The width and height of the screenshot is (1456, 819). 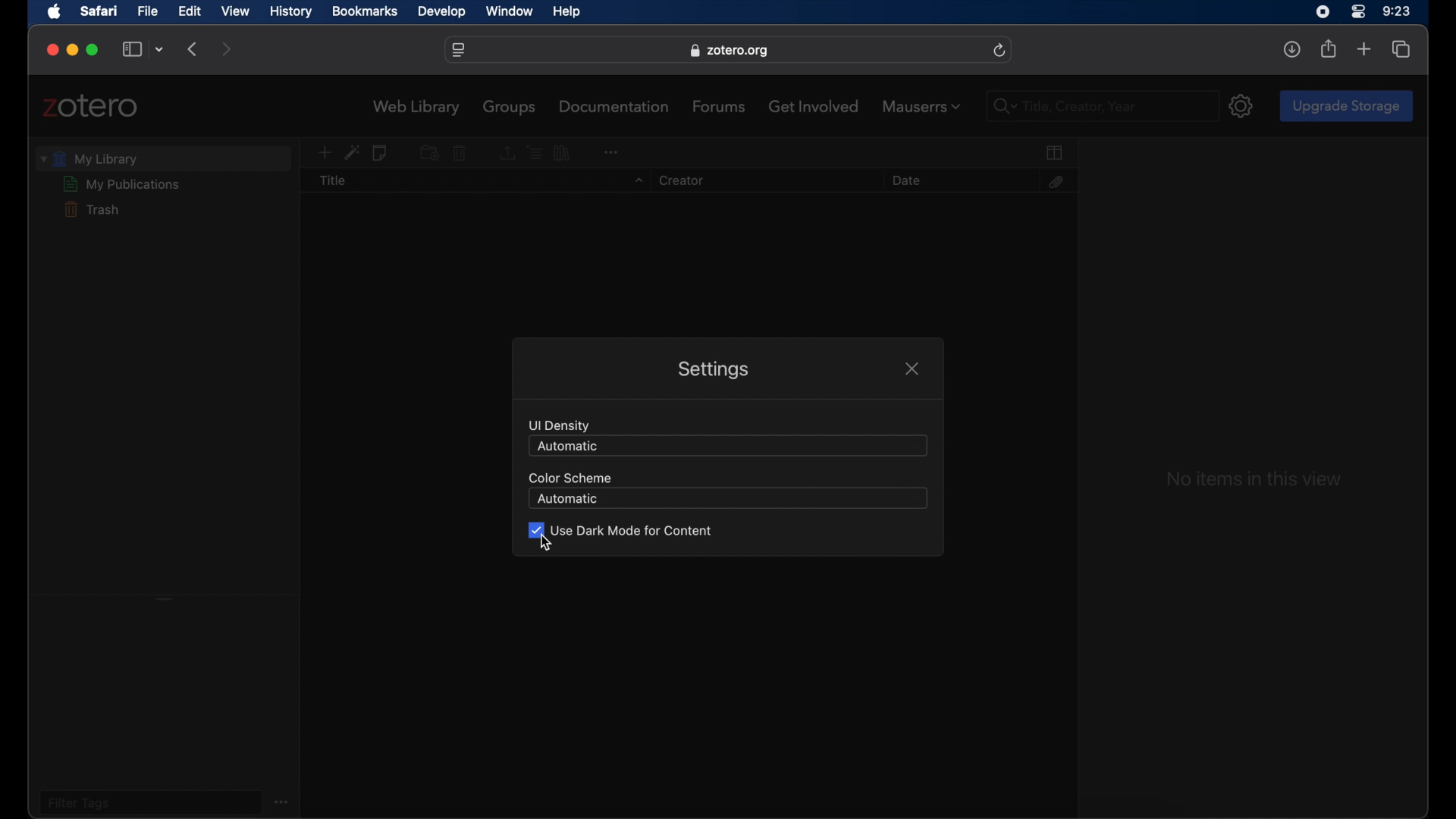 I want to click on filter tags, so click(x=79, y=802).